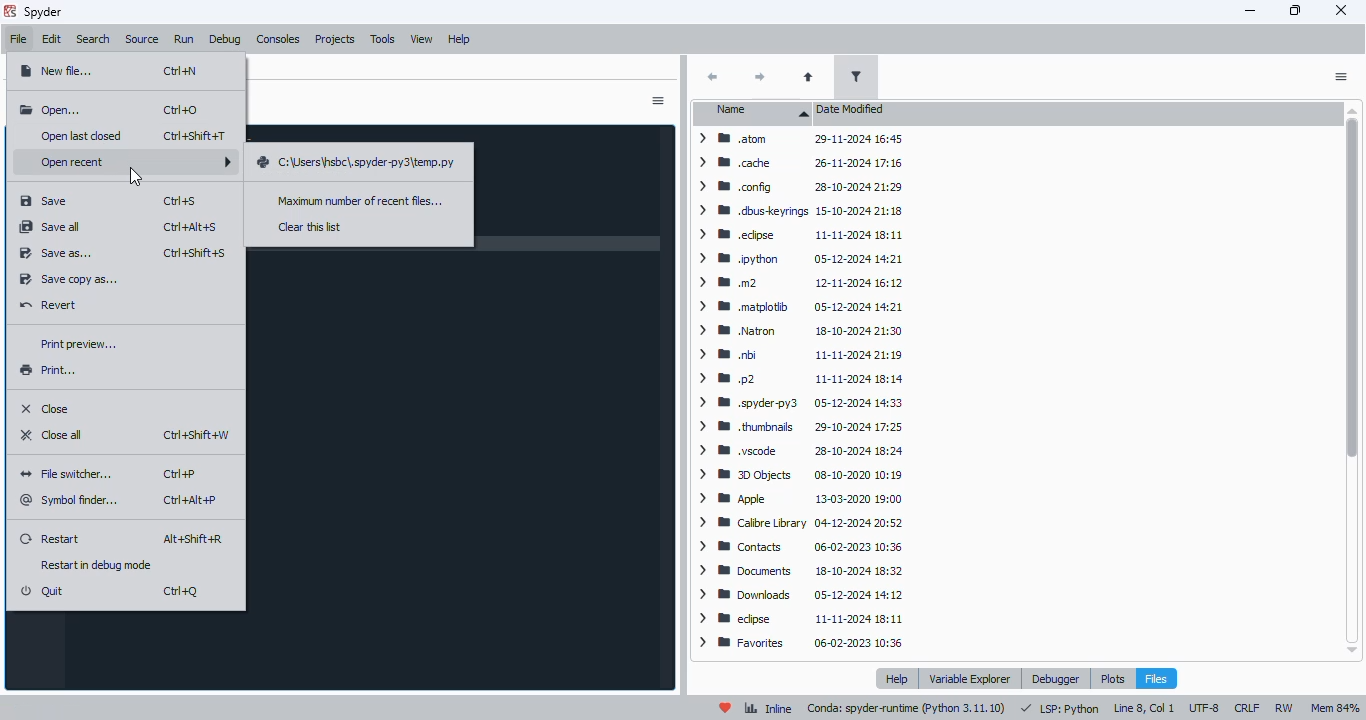 This screenshot has height=720, width=1366. What do you see at coordinates (1145, 708) in the screenshot?
I see `line 8, col 1` at bounding box center [1145, 708].